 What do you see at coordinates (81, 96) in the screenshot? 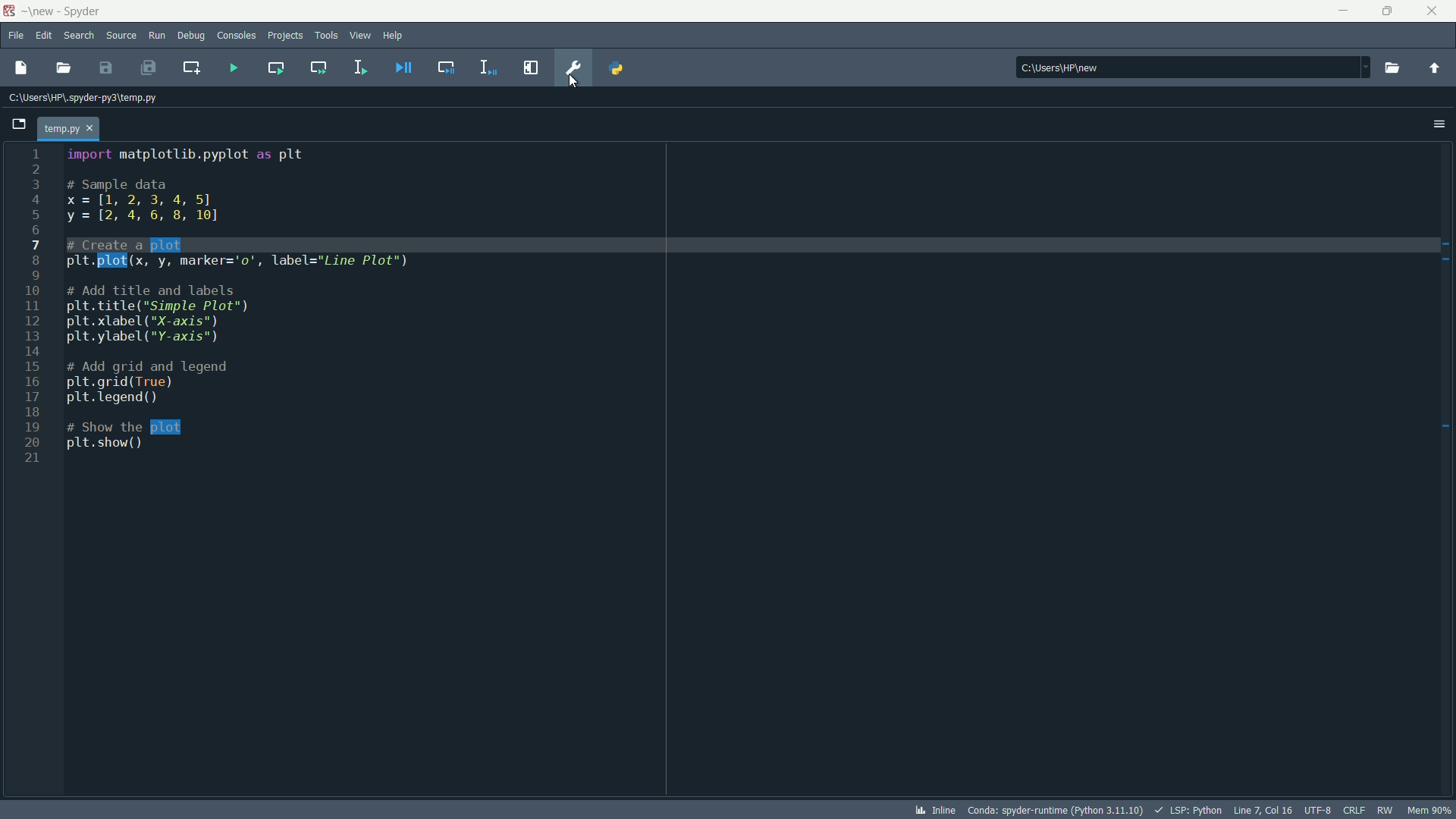
I see `current file directory` at bounding box center [81, 96].